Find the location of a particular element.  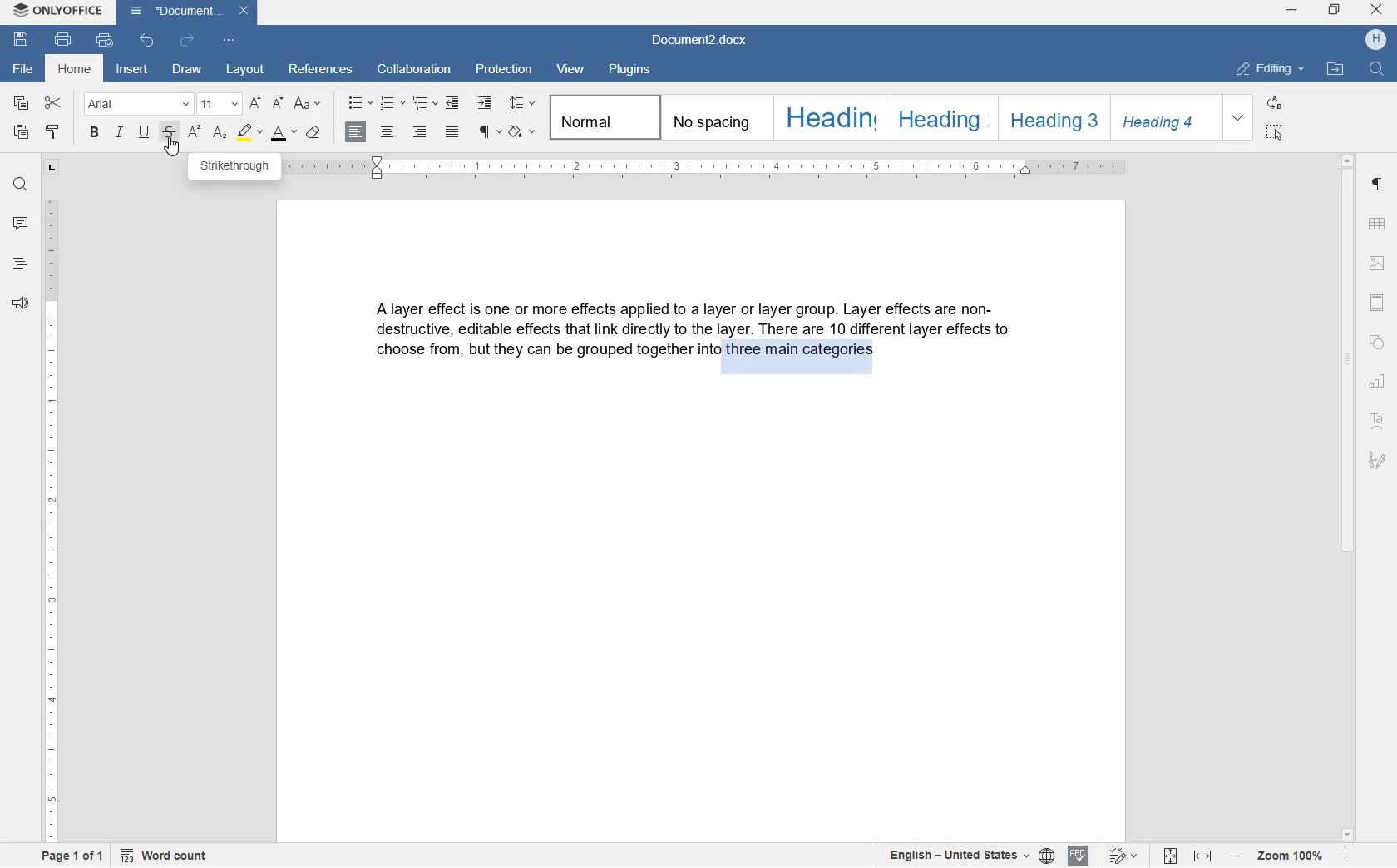

page 1 of 1 is located at coordinates (68, 856).